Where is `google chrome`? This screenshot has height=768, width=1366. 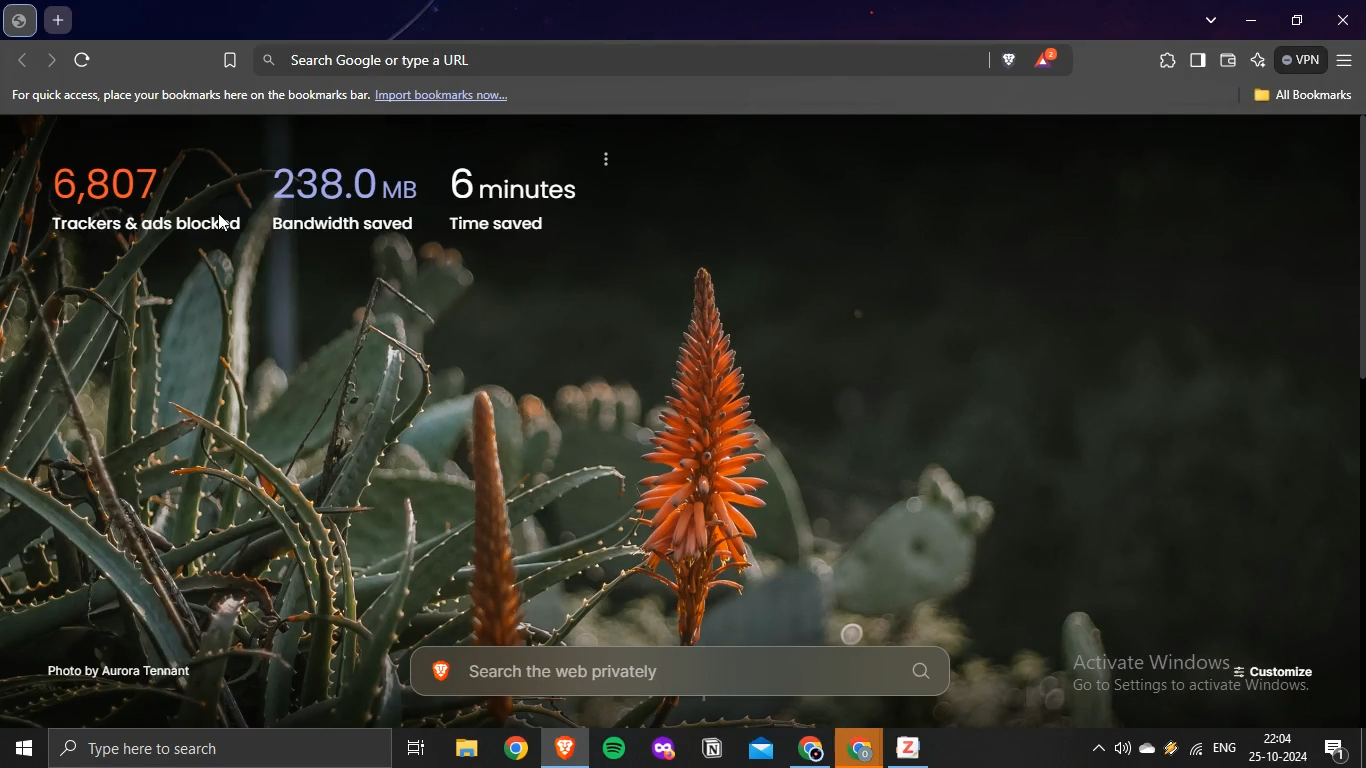
google chrome is located at coordinates (861, 749).